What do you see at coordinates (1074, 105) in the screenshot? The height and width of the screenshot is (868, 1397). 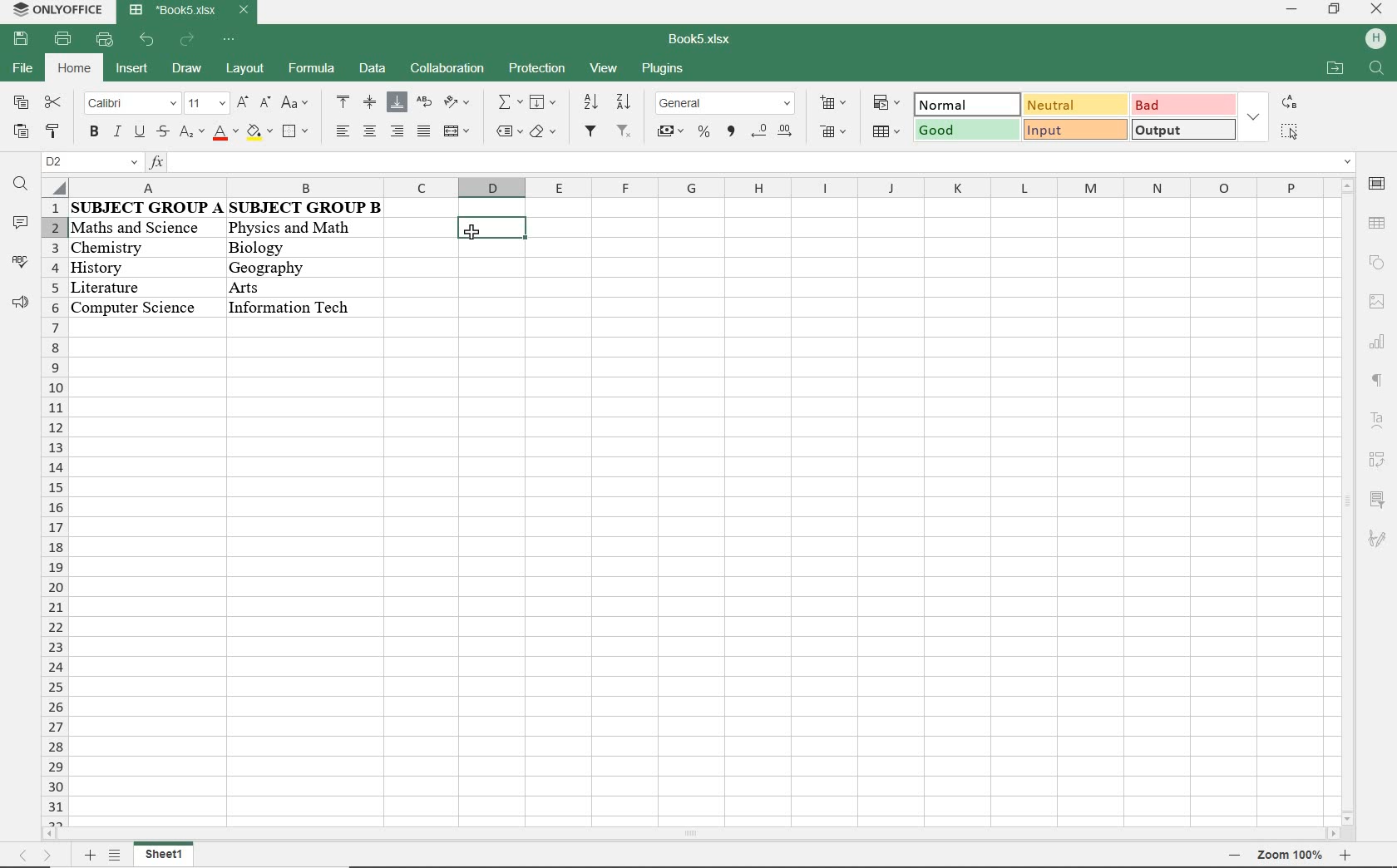 I see `neutral` at bounding box center [1074, 105].